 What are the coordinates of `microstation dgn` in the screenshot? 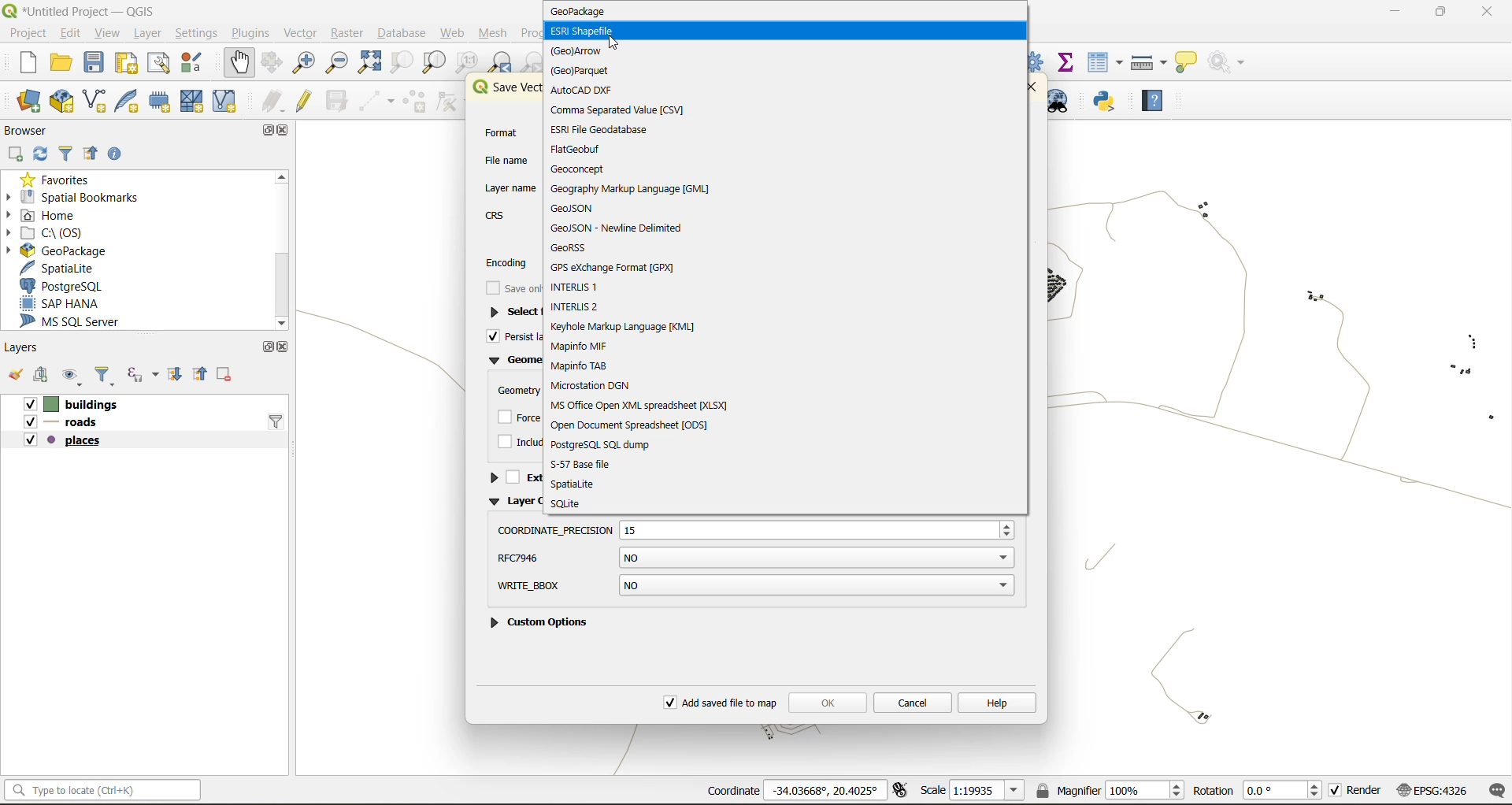 It's located at (591, 385).